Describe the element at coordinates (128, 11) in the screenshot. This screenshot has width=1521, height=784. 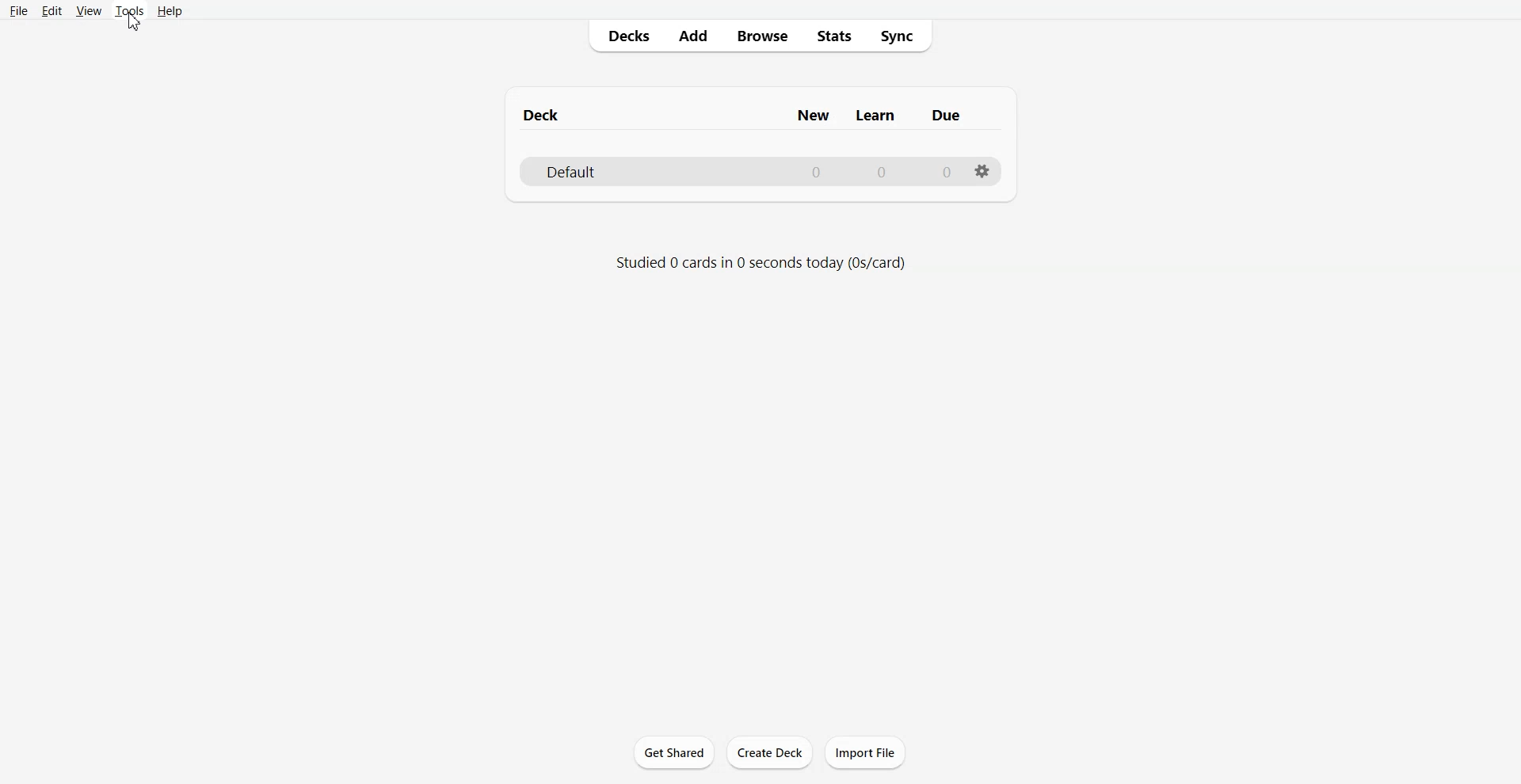
I see `Tools` at that location.